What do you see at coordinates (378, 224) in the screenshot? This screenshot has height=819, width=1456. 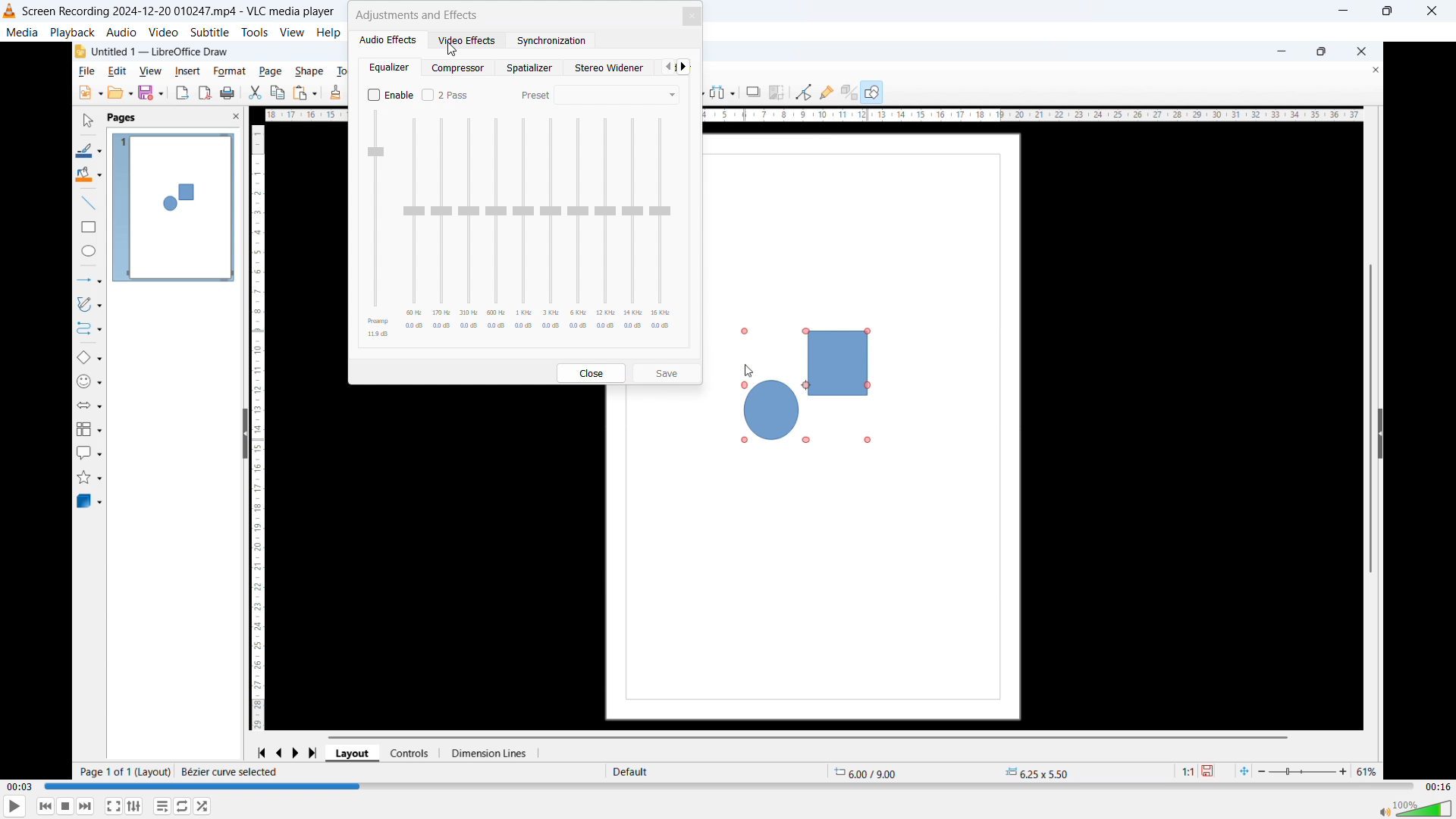 I see `preamp ` at bounding box center [378, 224].